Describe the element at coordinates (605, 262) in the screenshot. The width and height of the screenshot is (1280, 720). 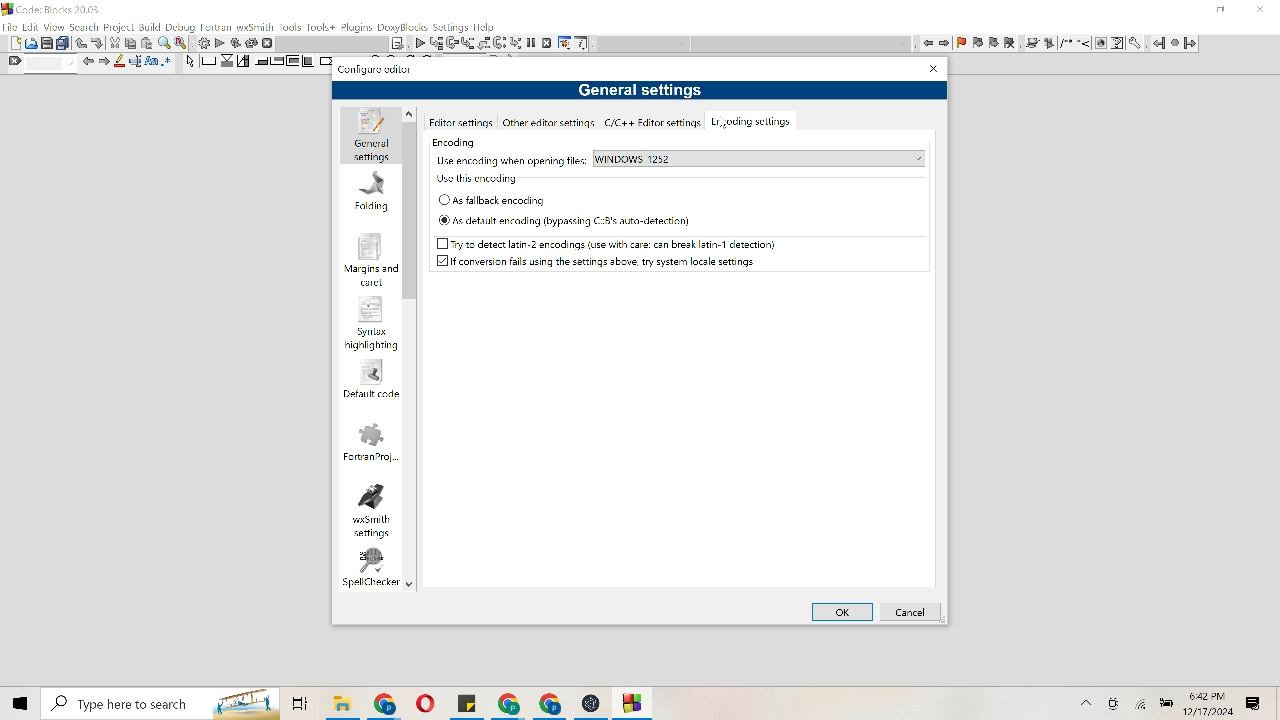
I see `If conversion fails using the settings above, try system local setting` at that location.